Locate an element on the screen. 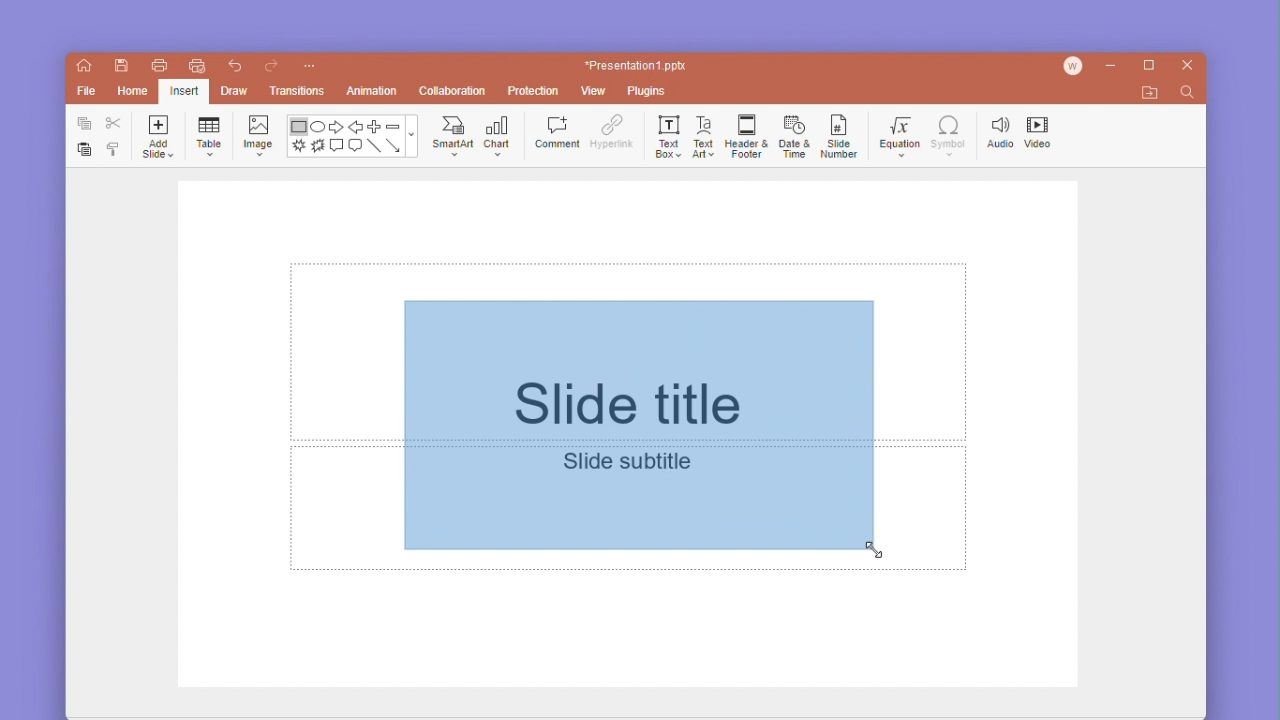 The height and width of the screenshot is (720, 1280). copy is located at coordinates (80, 124).